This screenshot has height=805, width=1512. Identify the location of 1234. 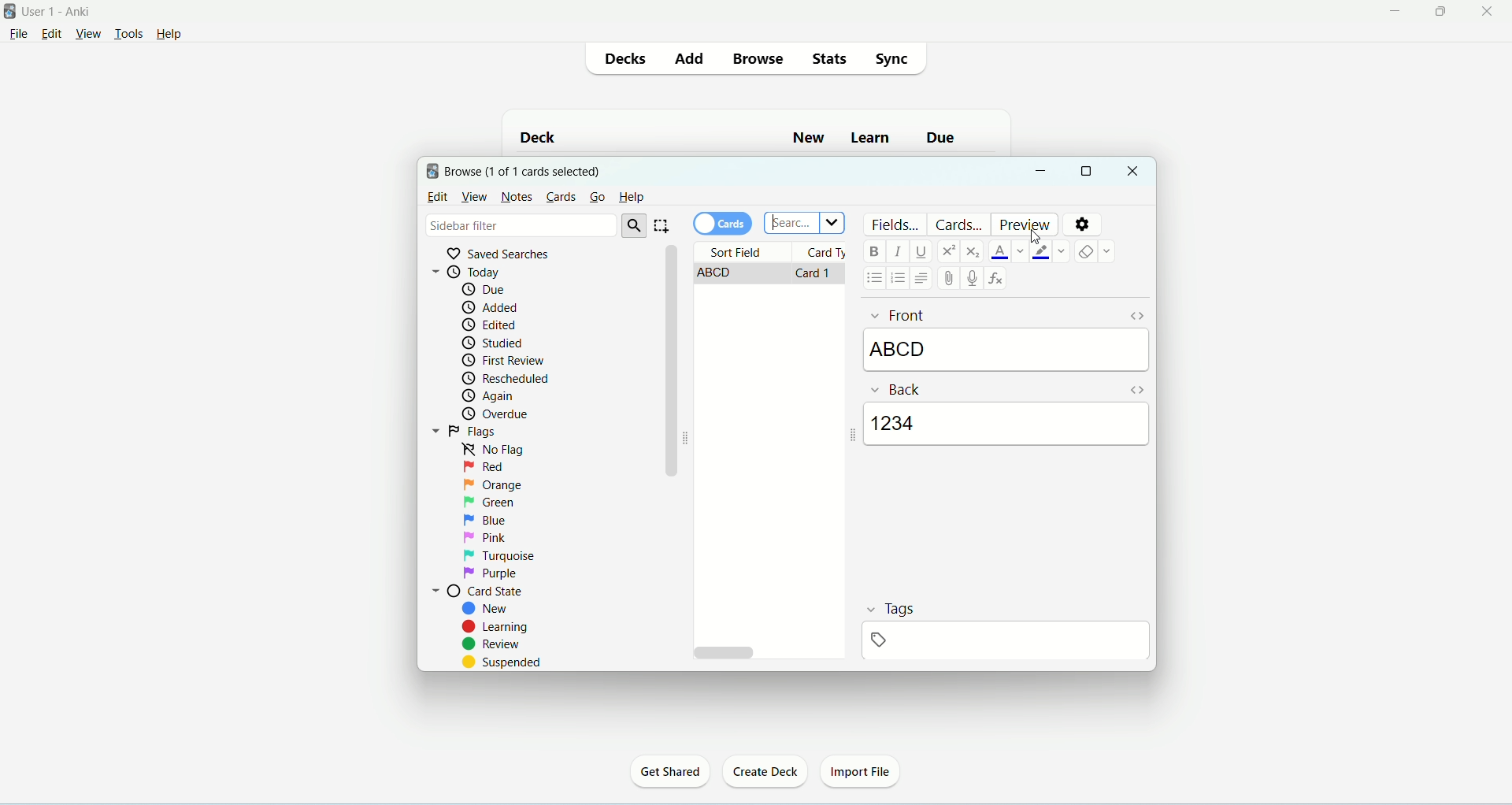
(1007, 425).